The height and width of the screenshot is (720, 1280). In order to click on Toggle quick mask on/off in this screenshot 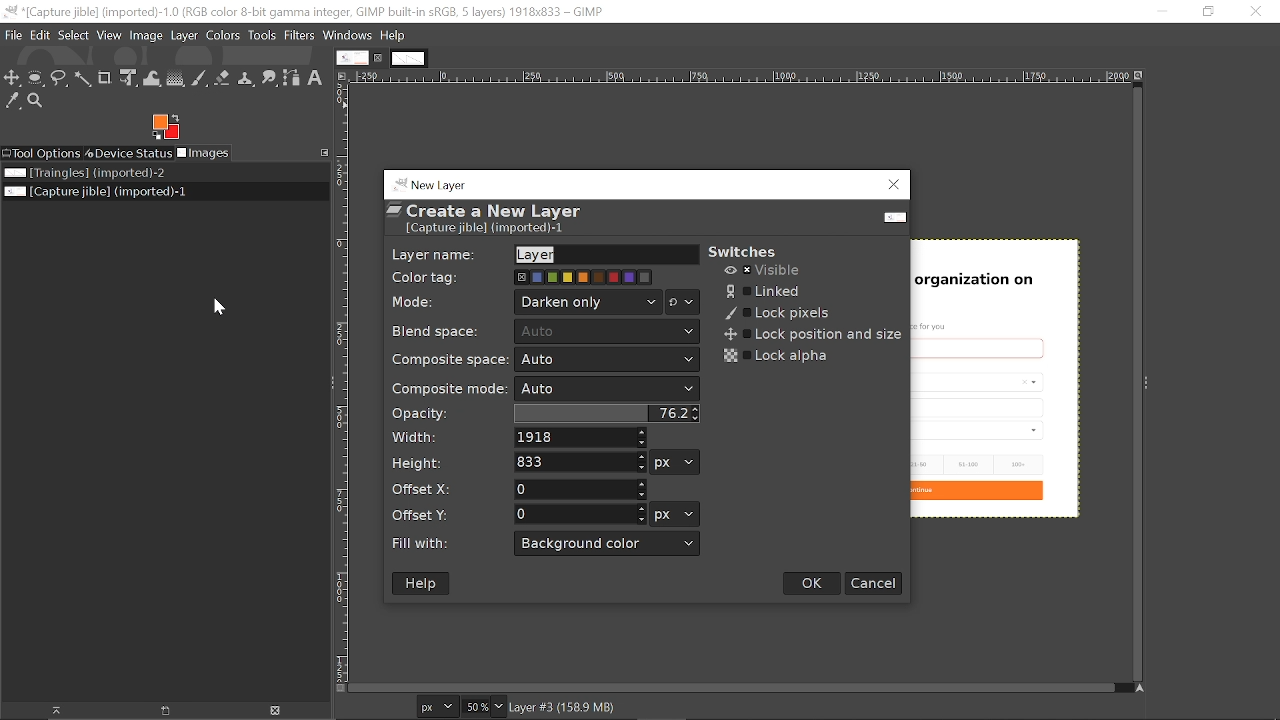, I will do `click(339, 688)`.